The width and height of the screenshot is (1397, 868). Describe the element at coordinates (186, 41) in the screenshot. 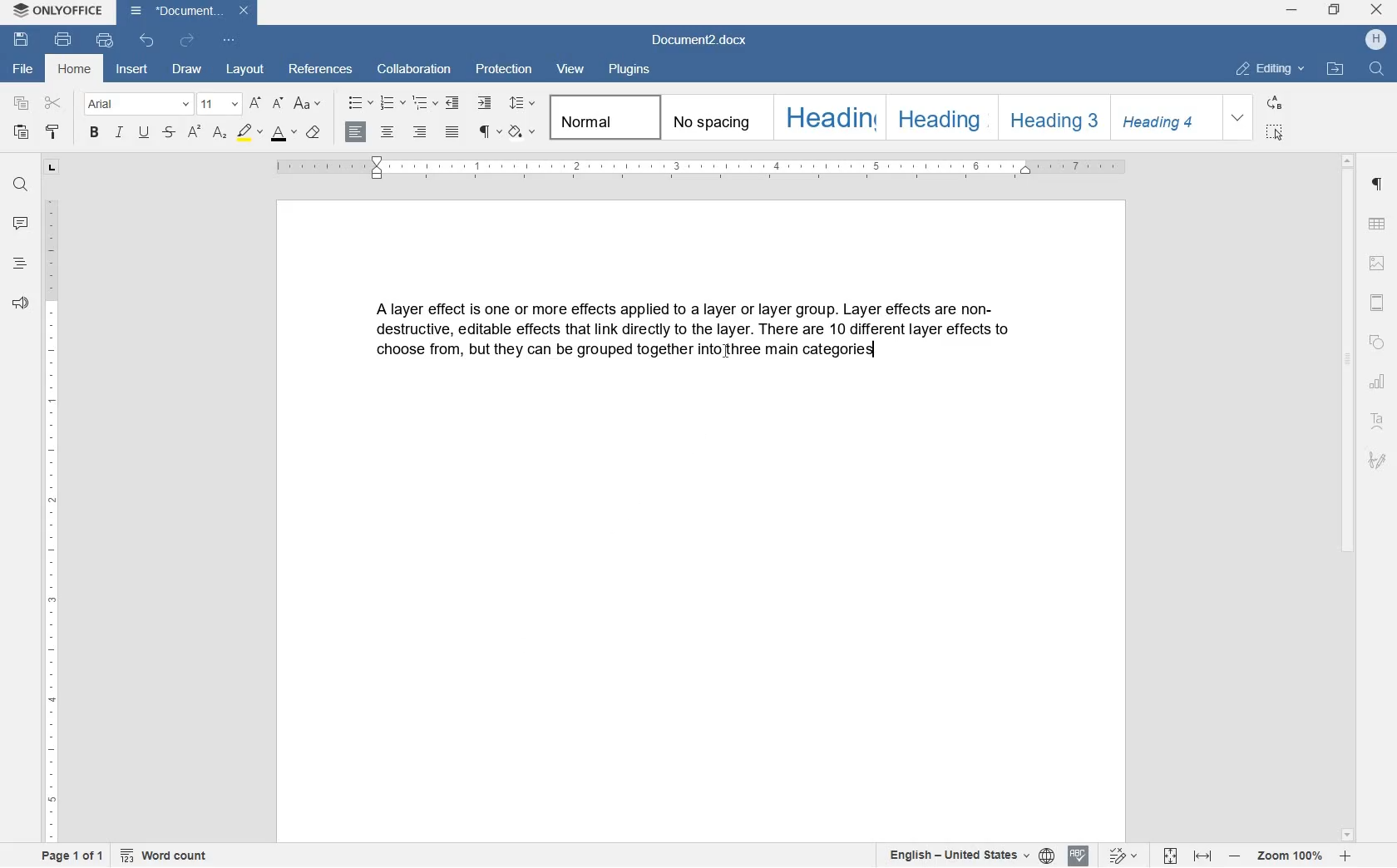

I see `redo` at that location.